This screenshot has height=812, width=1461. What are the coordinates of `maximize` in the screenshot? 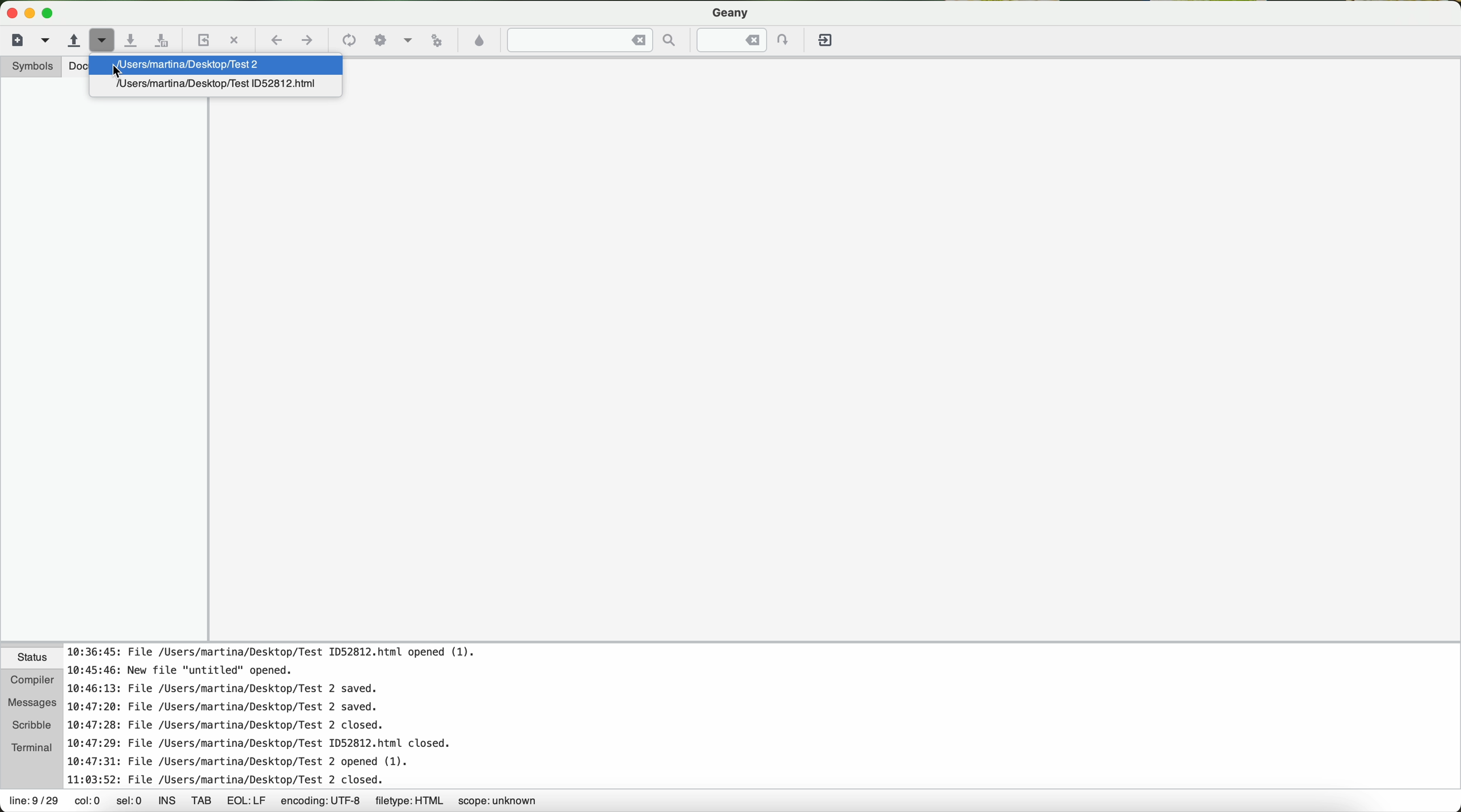 It's located at (50, 14).